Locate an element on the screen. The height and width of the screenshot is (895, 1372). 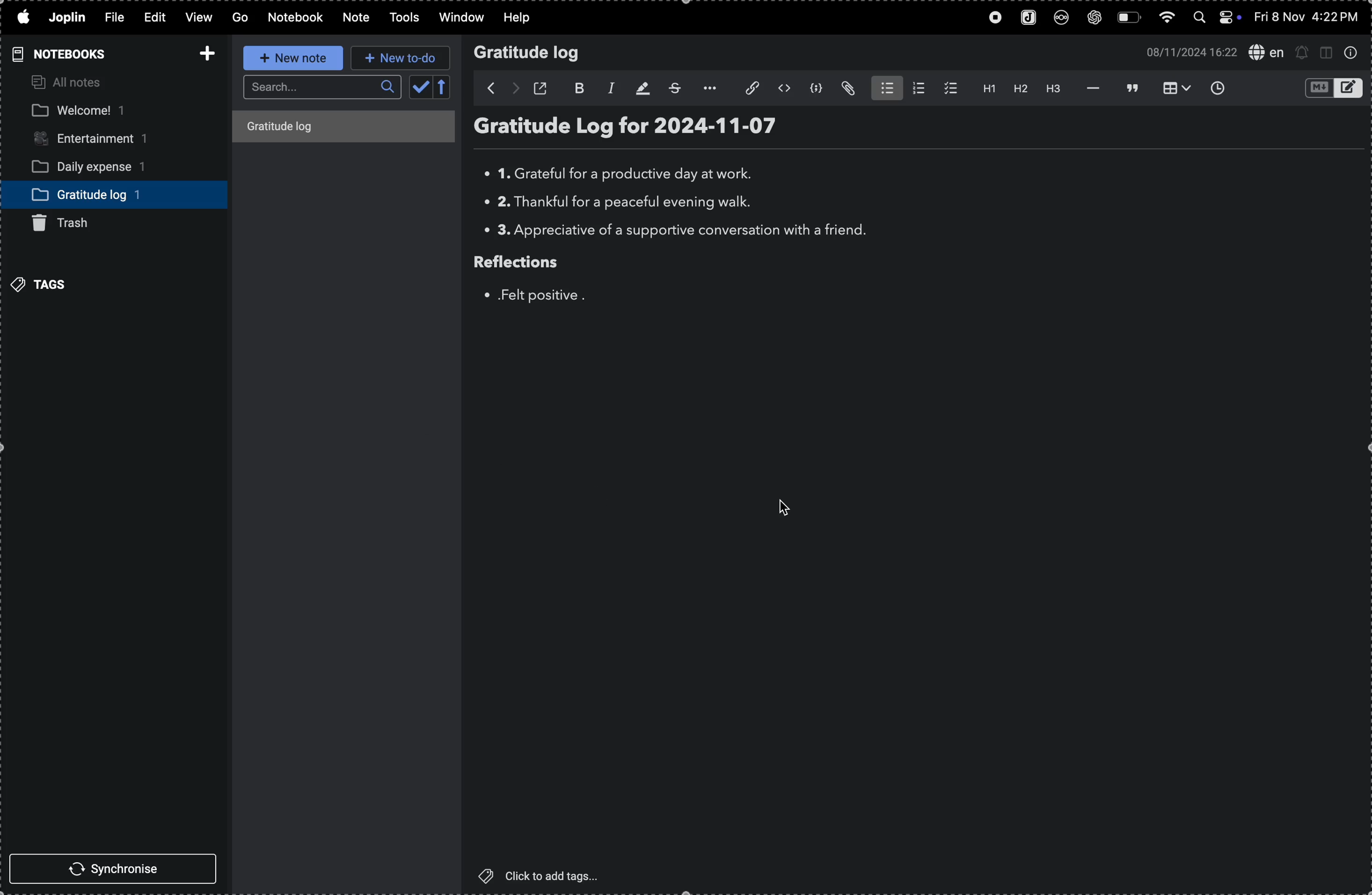
window is located at coordinates (462, 17).